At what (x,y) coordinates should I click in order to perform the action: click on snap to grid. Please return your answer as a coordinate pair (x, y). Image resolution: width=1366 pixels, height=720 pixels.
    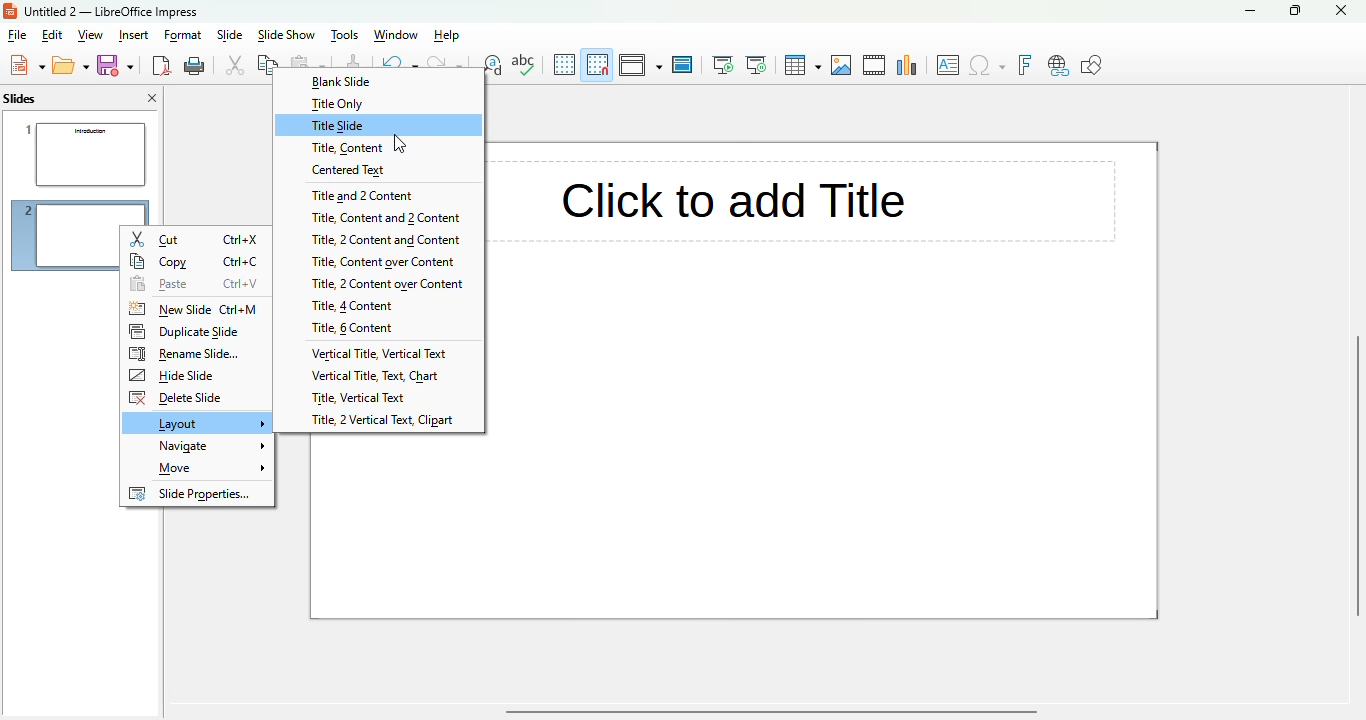
    Looking at the image, I should click on (598, 64).